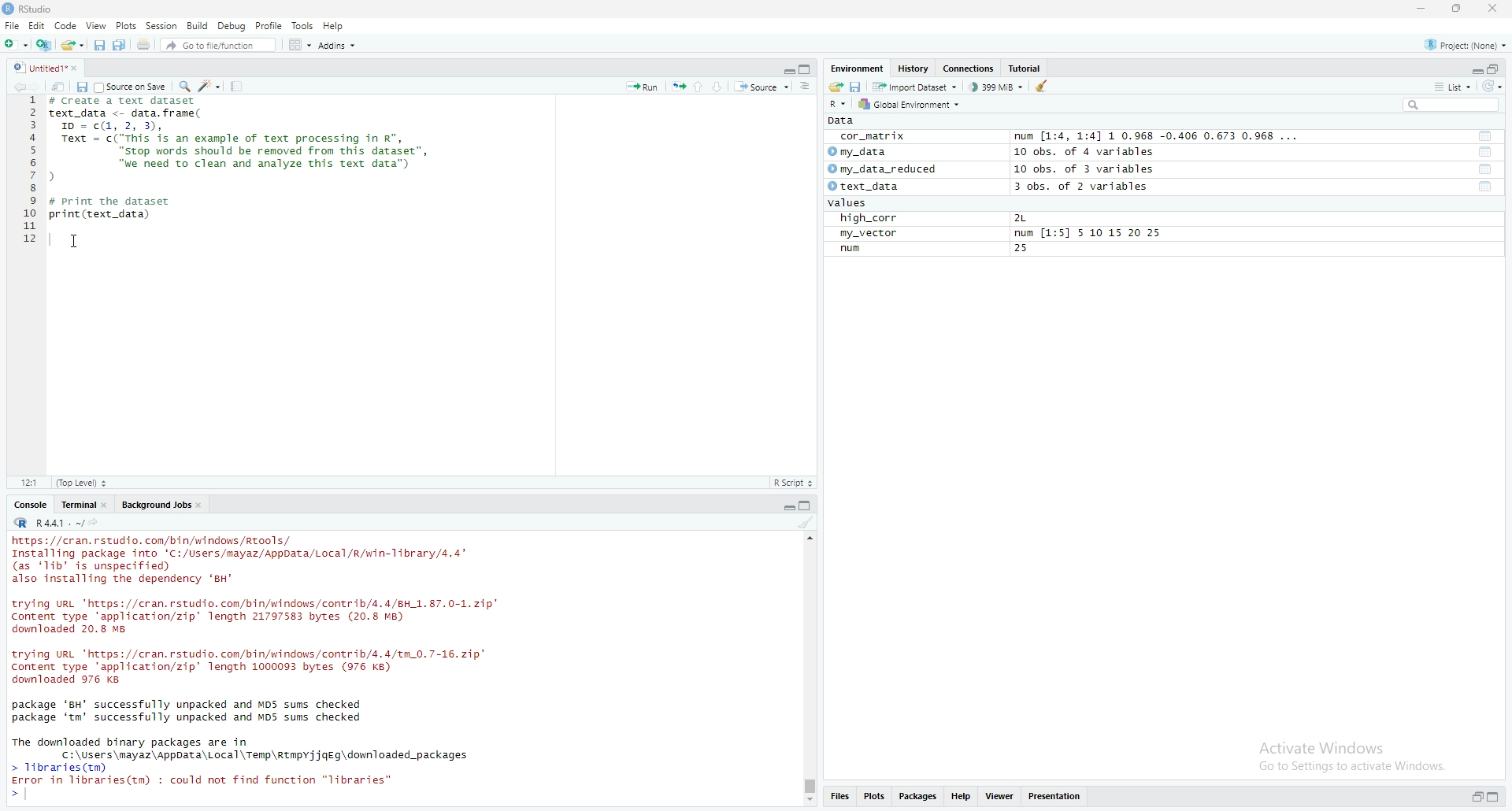 This screenshot has height=811, width=1512. Describe the element at coordinates (11, 26) in the screenshot. I see `file` at that location.